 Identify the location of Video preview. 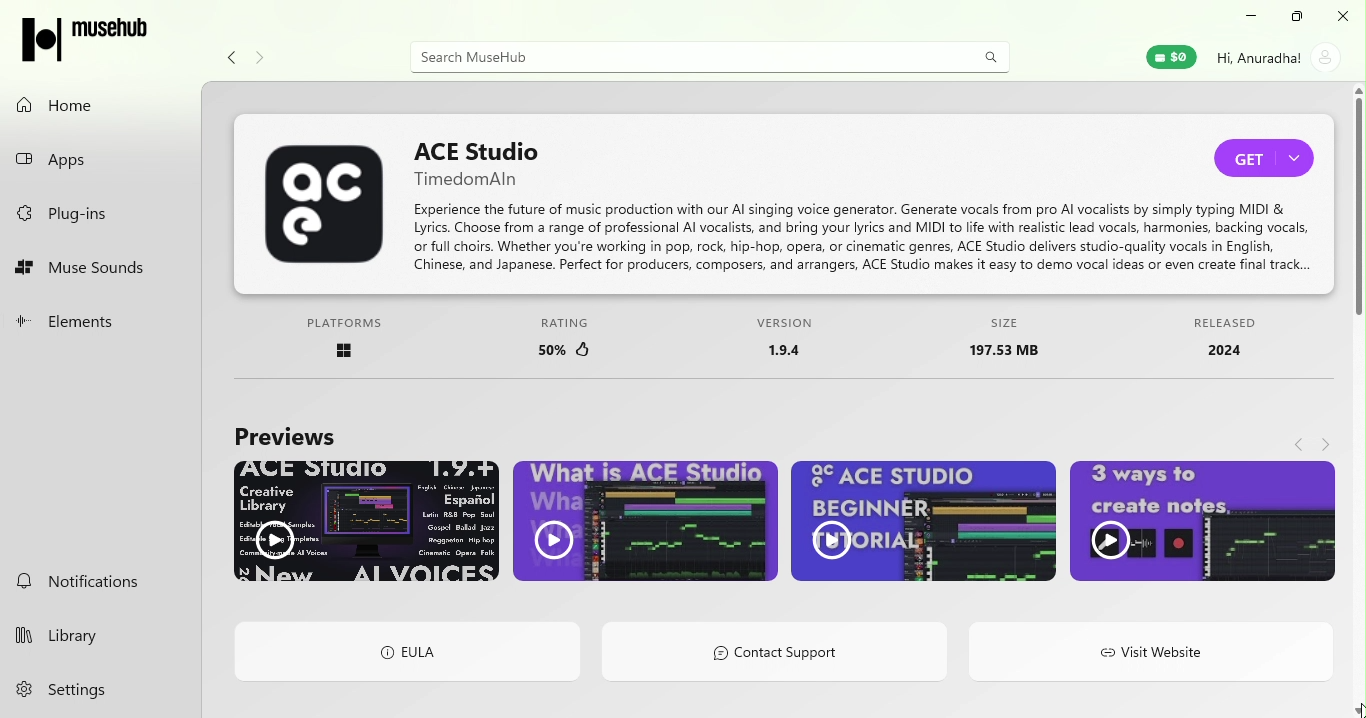
(368, 522).